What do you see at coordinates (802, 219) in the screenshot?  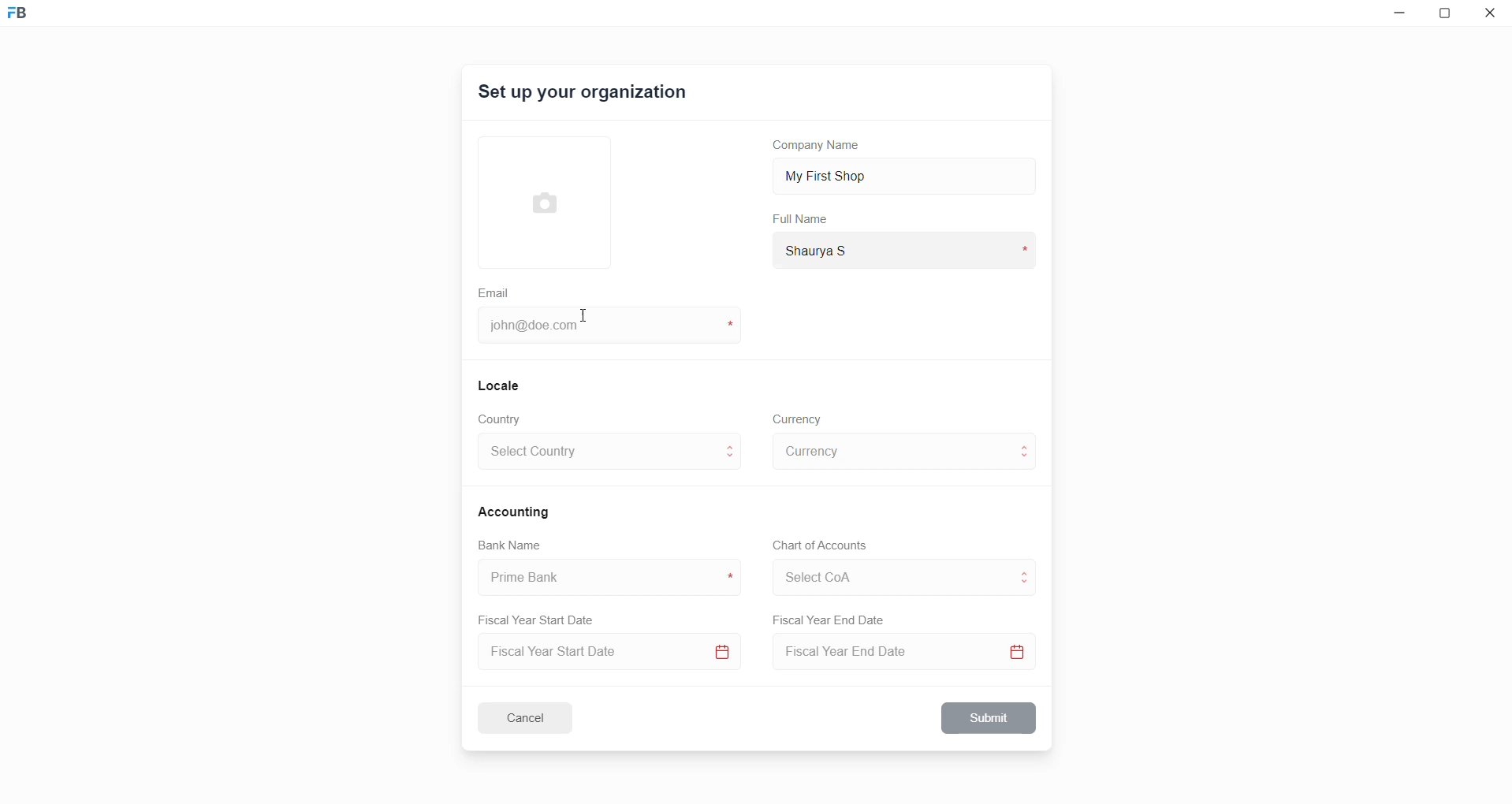 I see `Full Name` at bounding box center [802, 219].